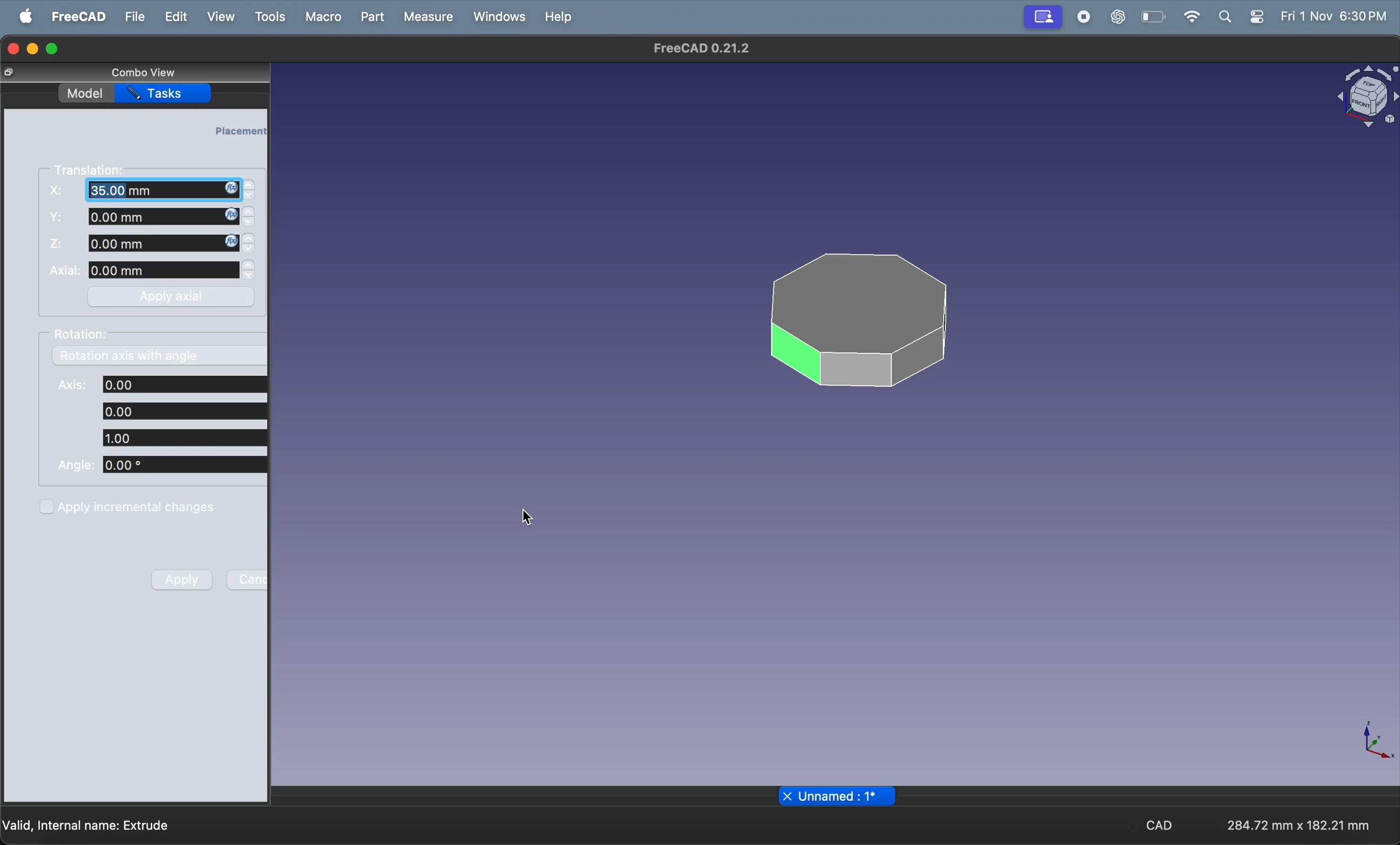 The image size is (1400, 845). What do you see at coordinates (429, 16) in the screenshot?
I see `measure` at bounding box center [429, 16].